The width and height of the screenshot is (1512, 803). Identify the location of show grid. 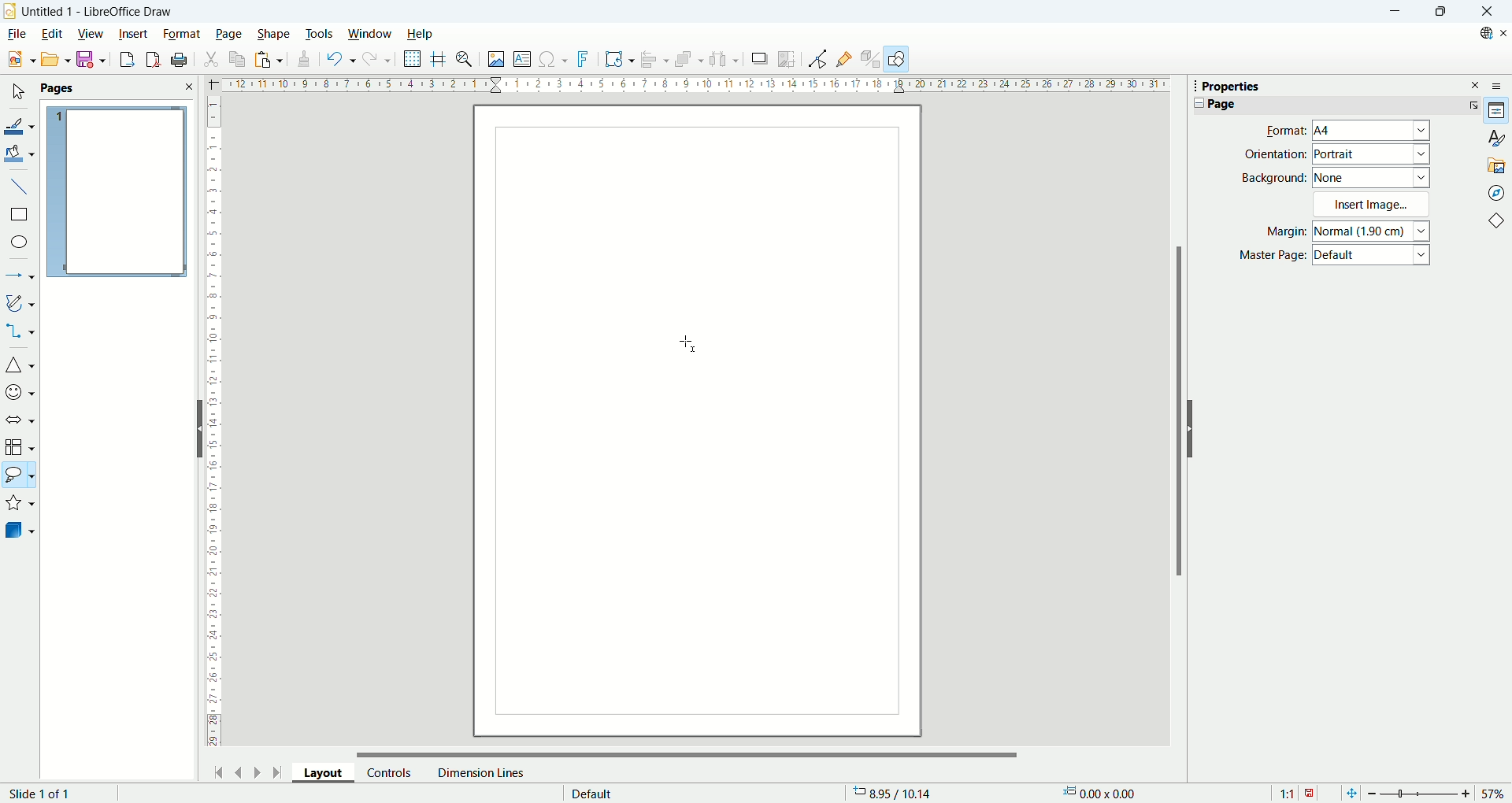
(413, 59).